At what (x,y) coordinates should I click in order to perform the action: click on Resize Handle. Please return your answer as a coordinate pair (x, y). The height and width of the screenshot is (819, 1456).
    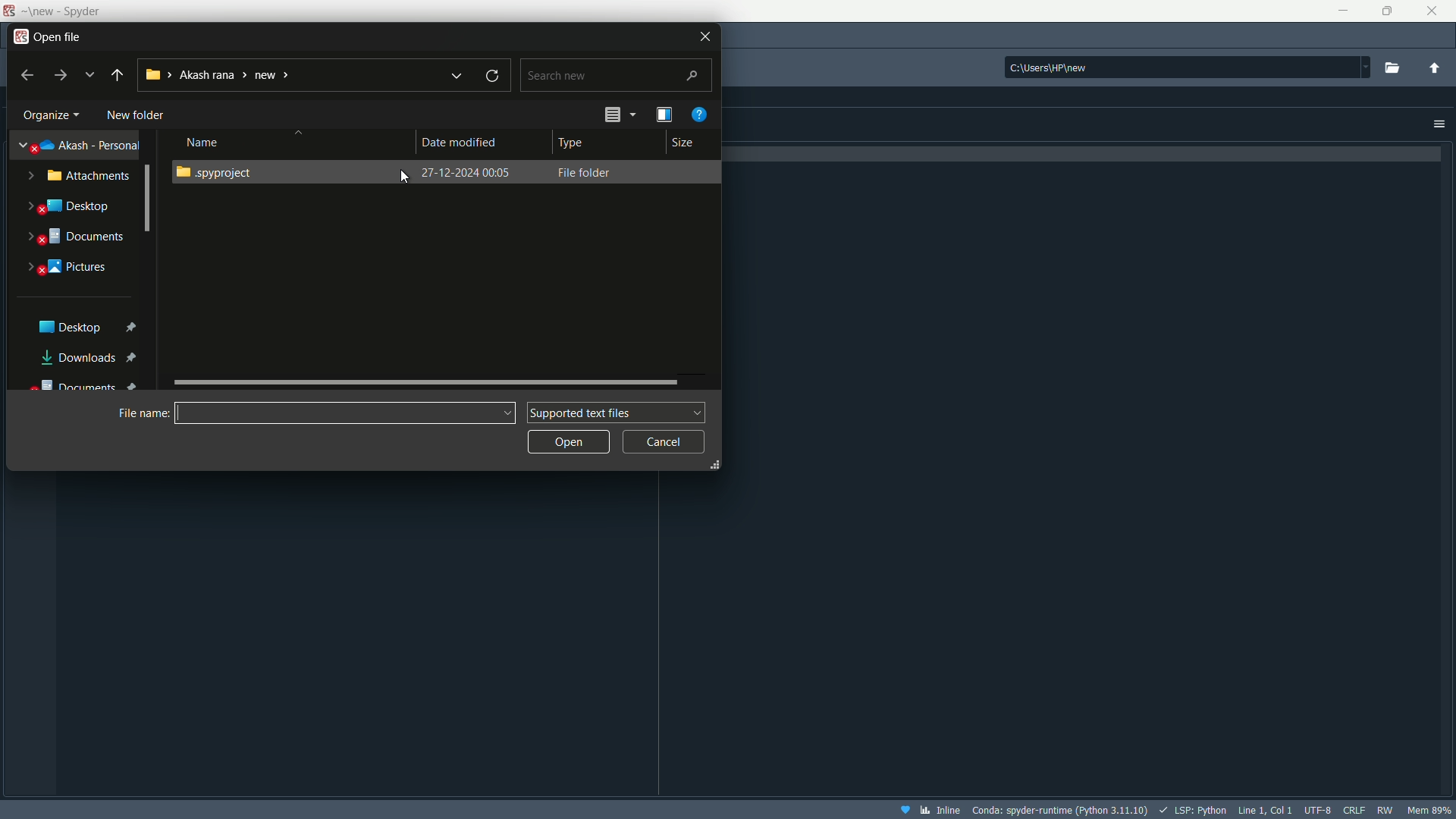
    Looking at the image, I should click on (716, 466).